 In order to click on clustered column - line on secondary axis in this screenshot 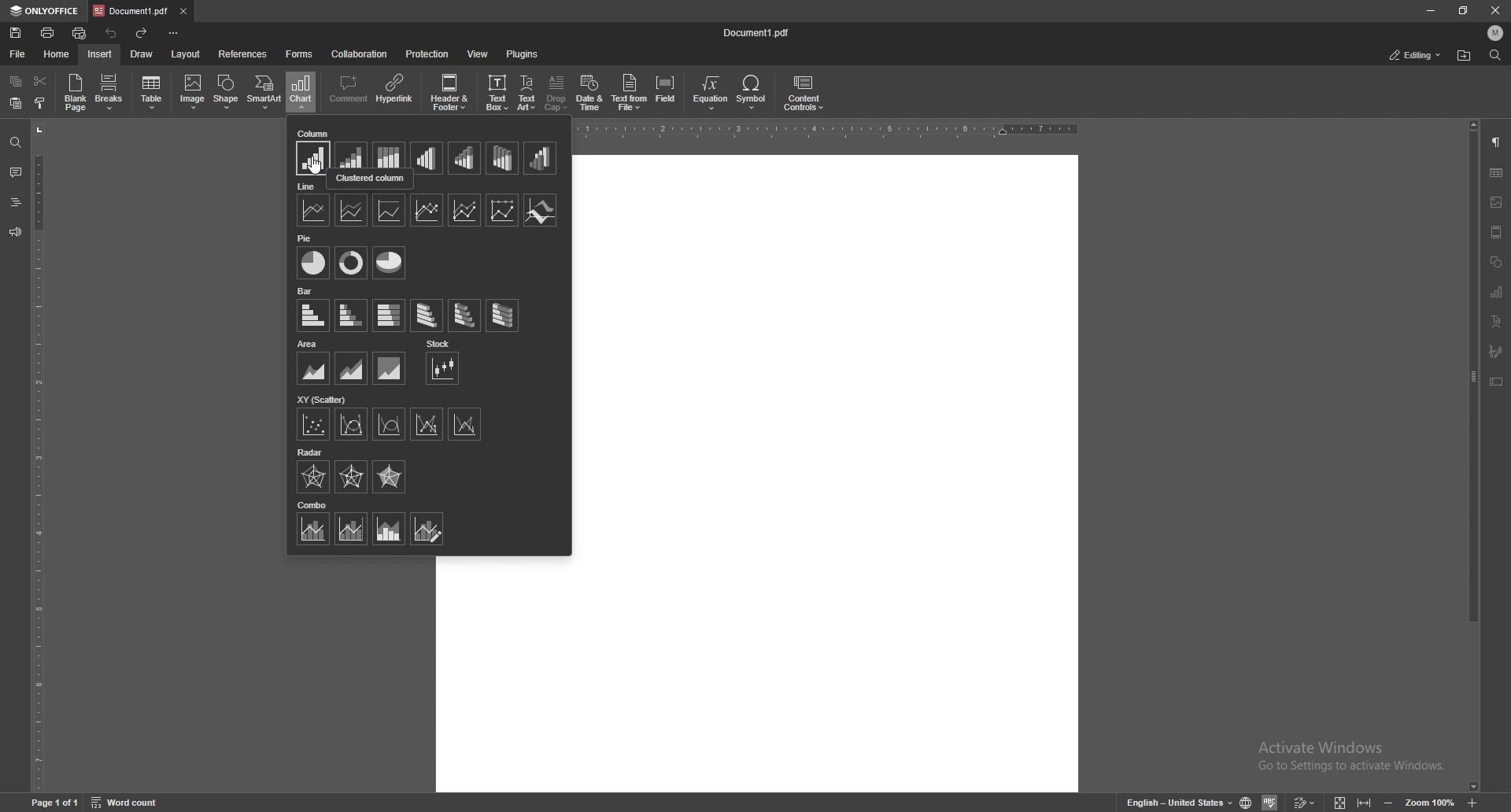, I will do `click(351, 529)`.